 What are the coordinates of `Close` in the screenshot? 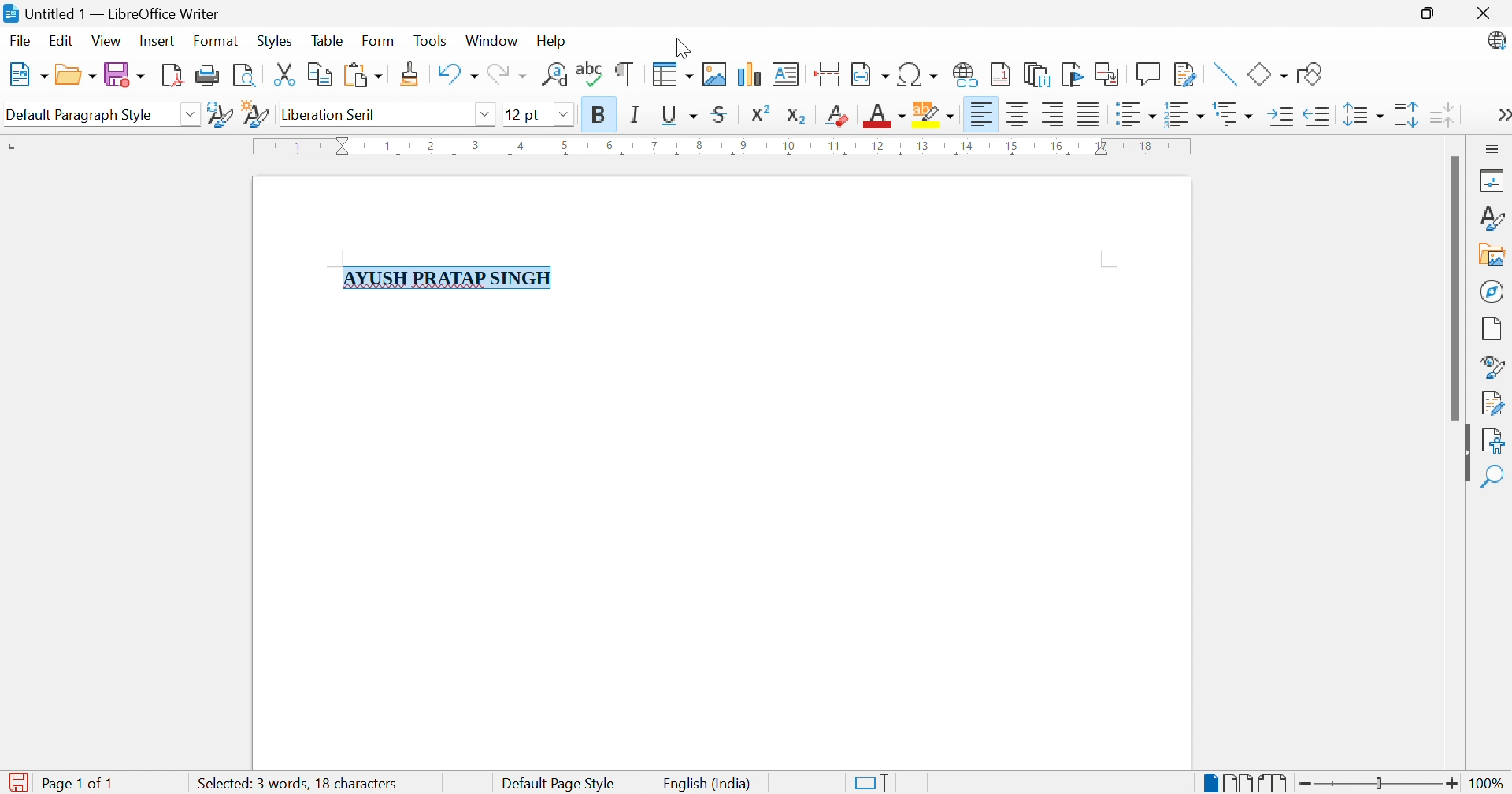 It's located at (1483, 13).